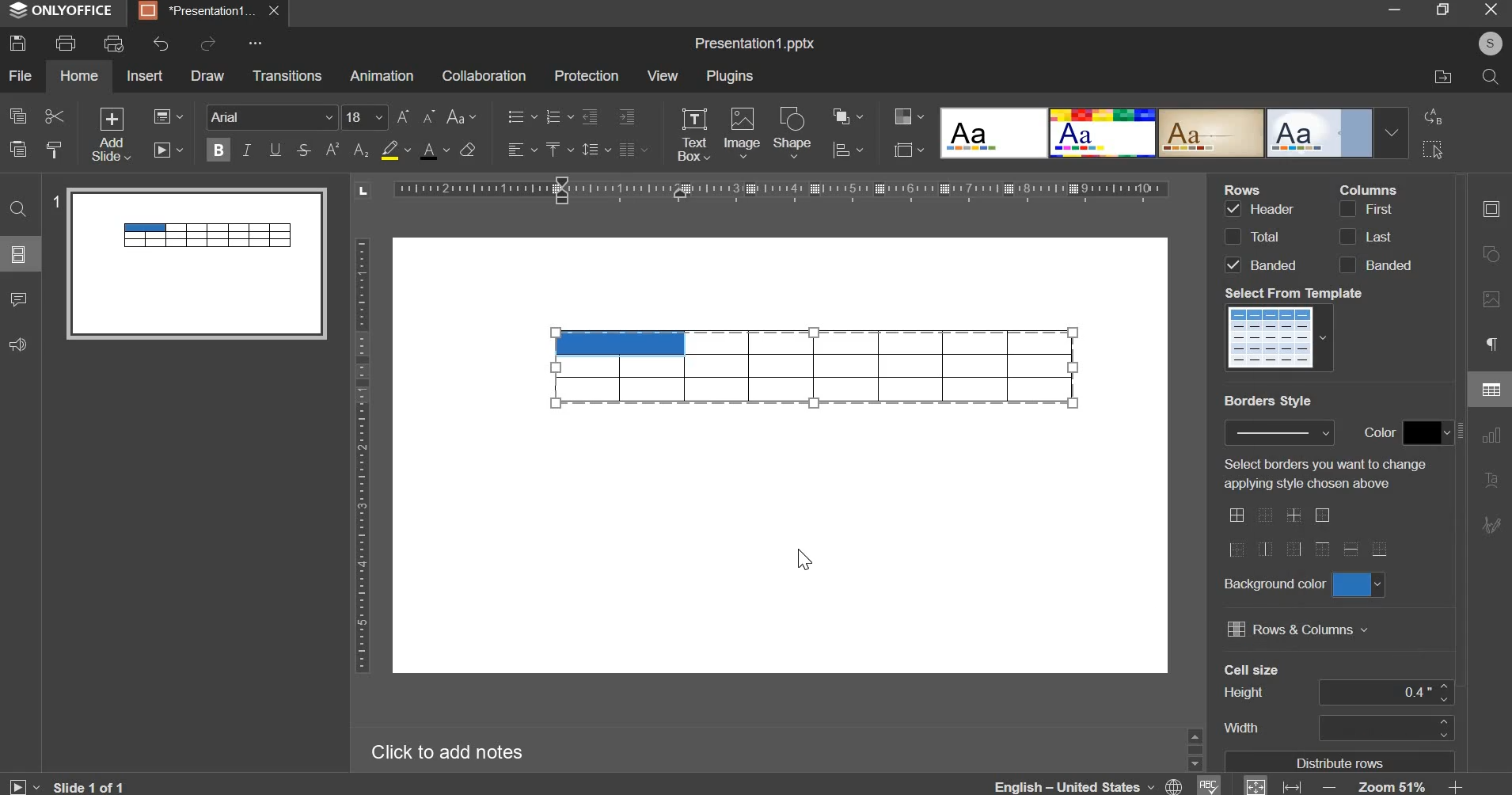 The image size is (1512, 795). I want to click on Column, so click(1368, 188).